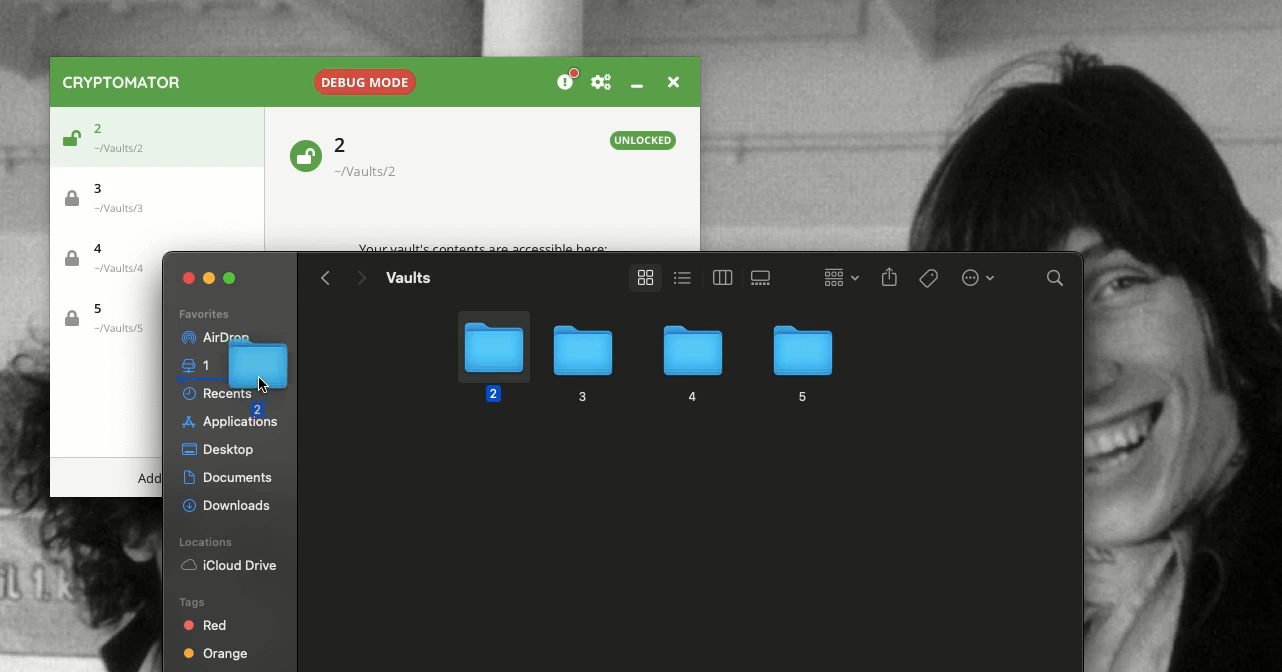 The width and height of the screenshot is (1282, 672). I want to click on Your vault's contents are accessible here, so click(483, 248).